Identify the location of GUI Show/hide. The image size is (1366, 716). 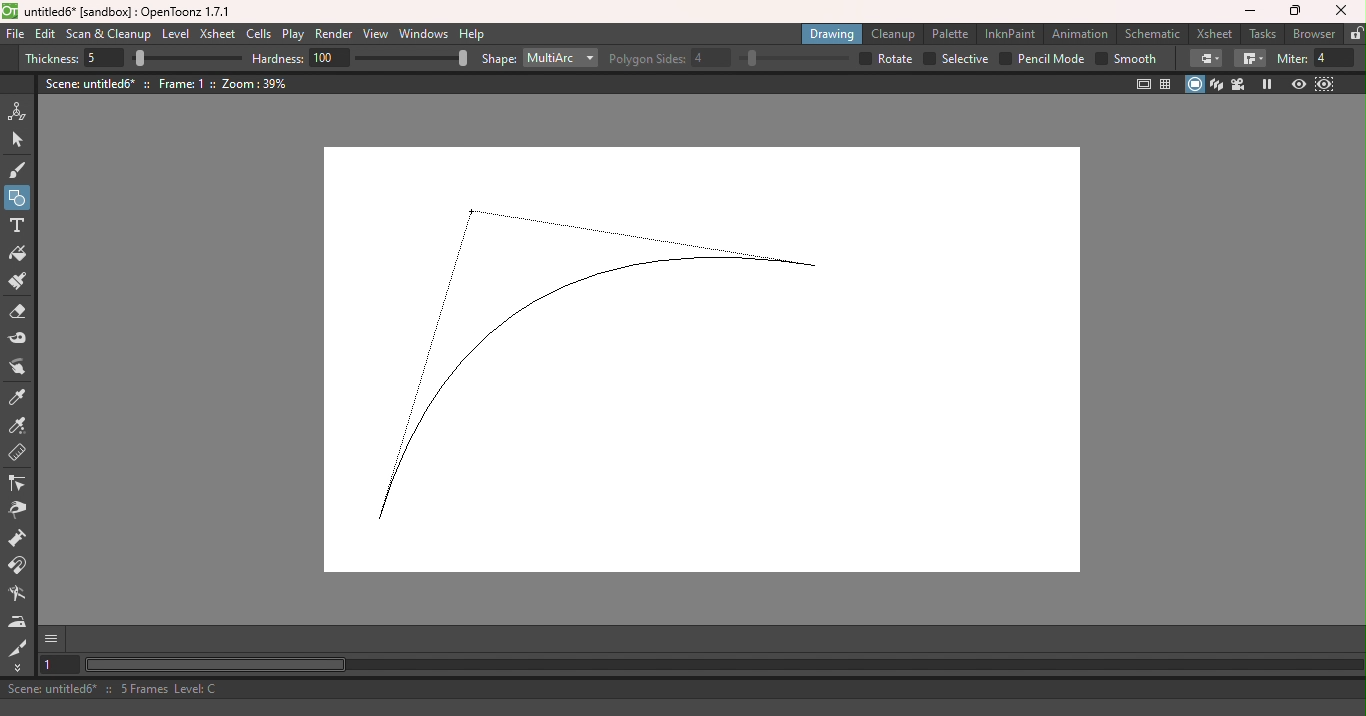
(53, 639).